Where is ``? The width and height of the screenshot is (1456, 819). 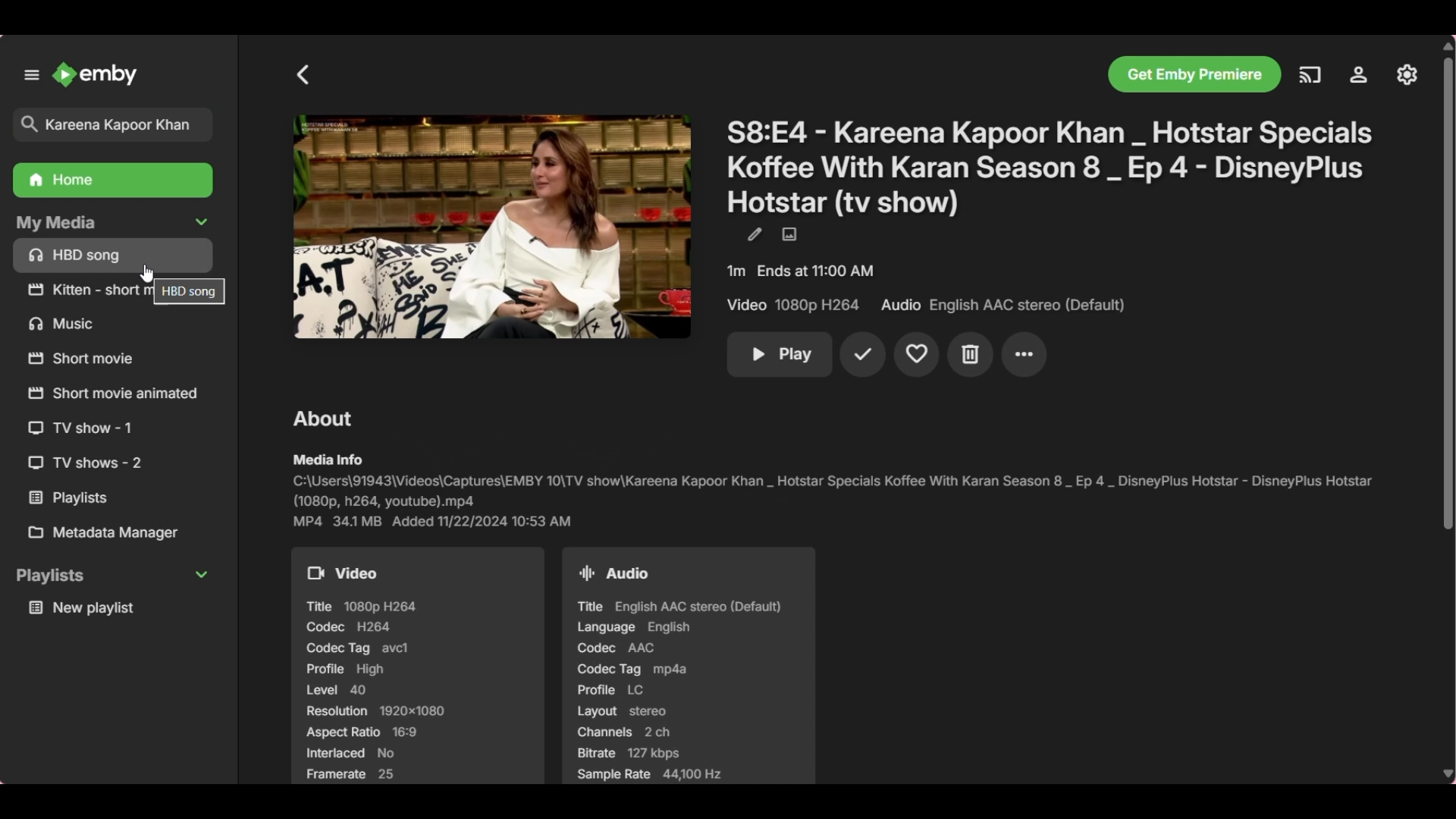
 is located at coordinates (102, 325).